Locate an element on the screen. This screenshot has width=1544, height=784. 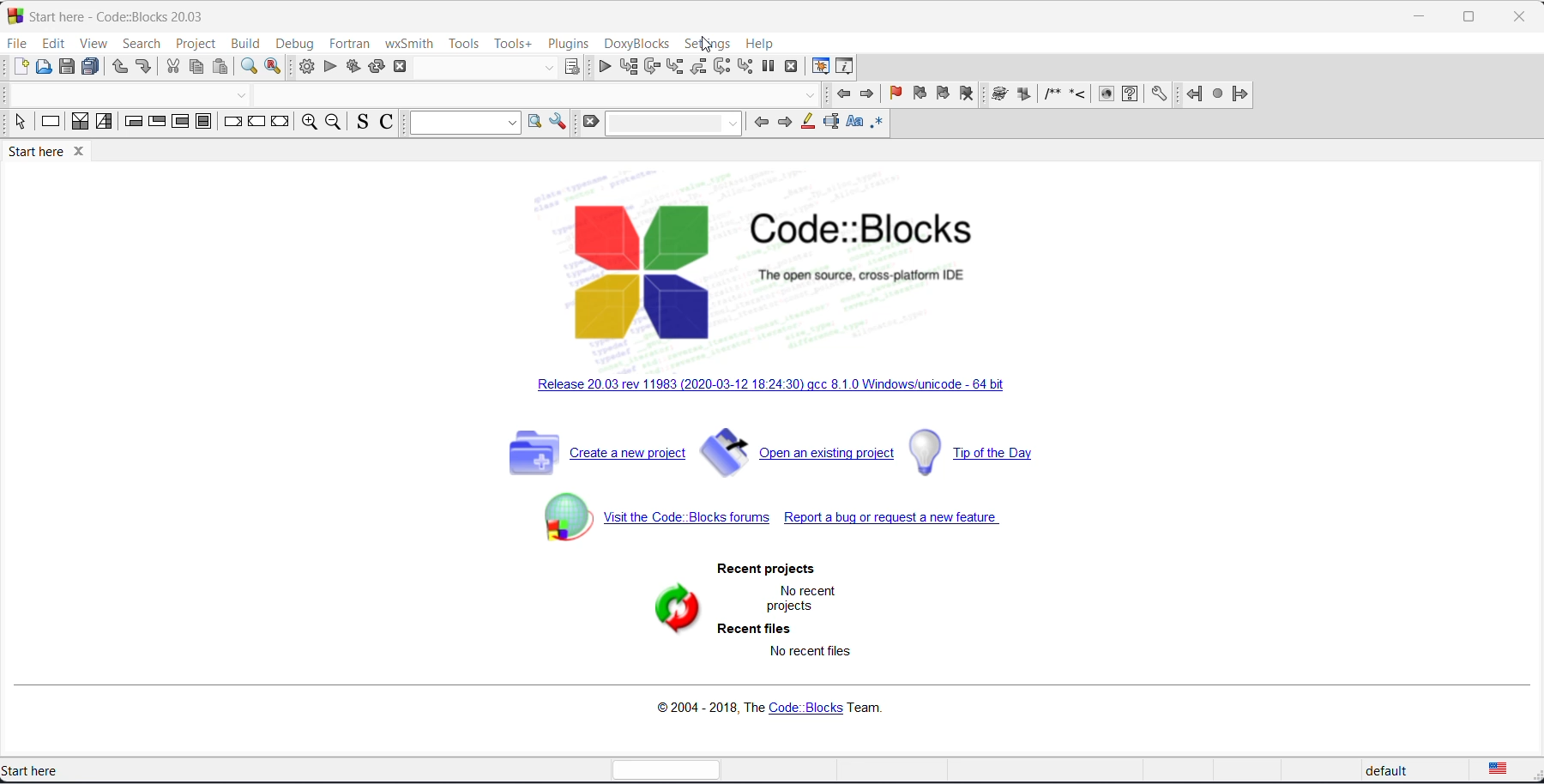
dropdown is located at coordinates (244, 94).